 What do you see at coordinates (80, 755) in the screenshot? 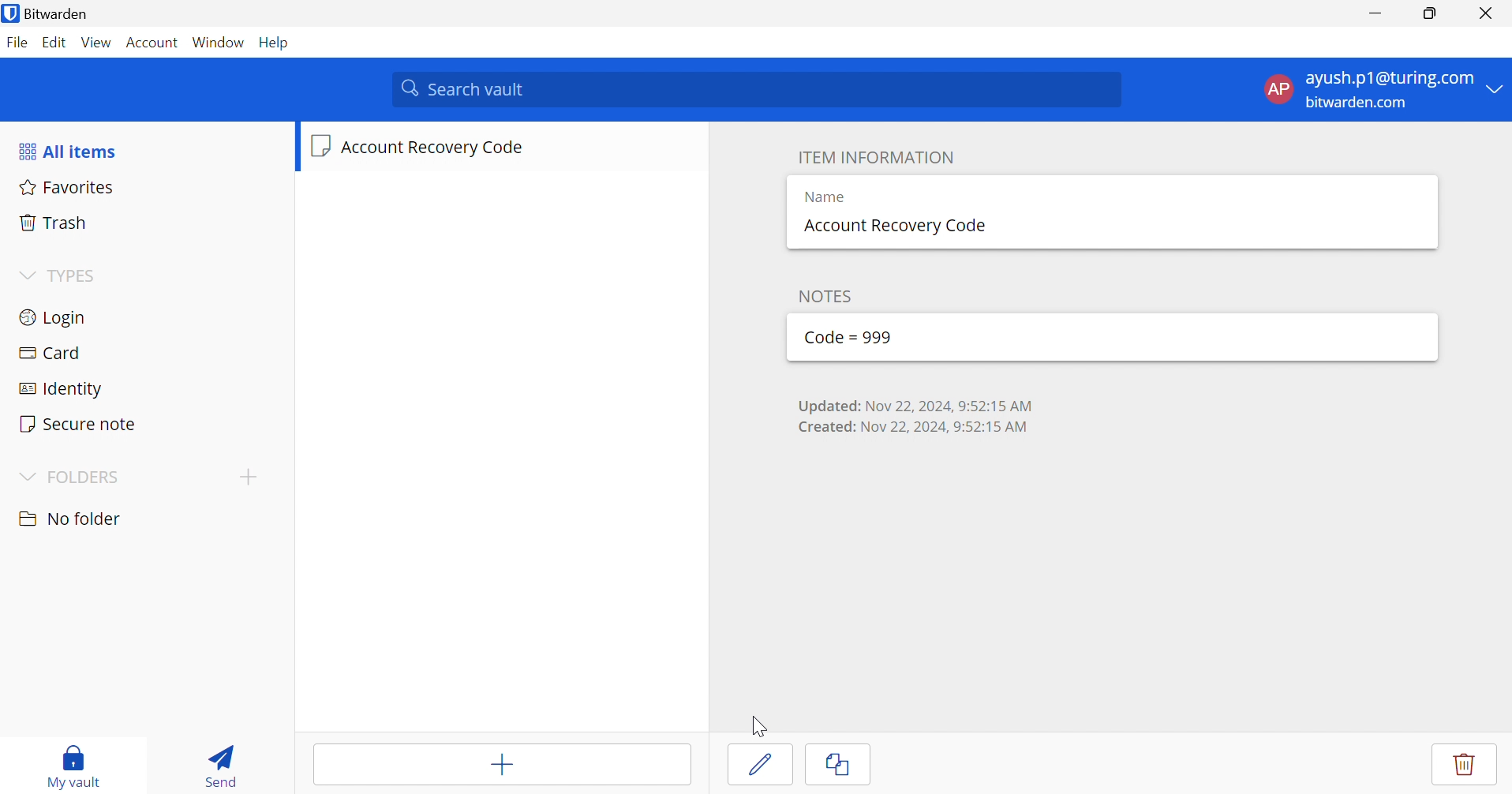
I see `My vault` at bounding box center [80, 755].